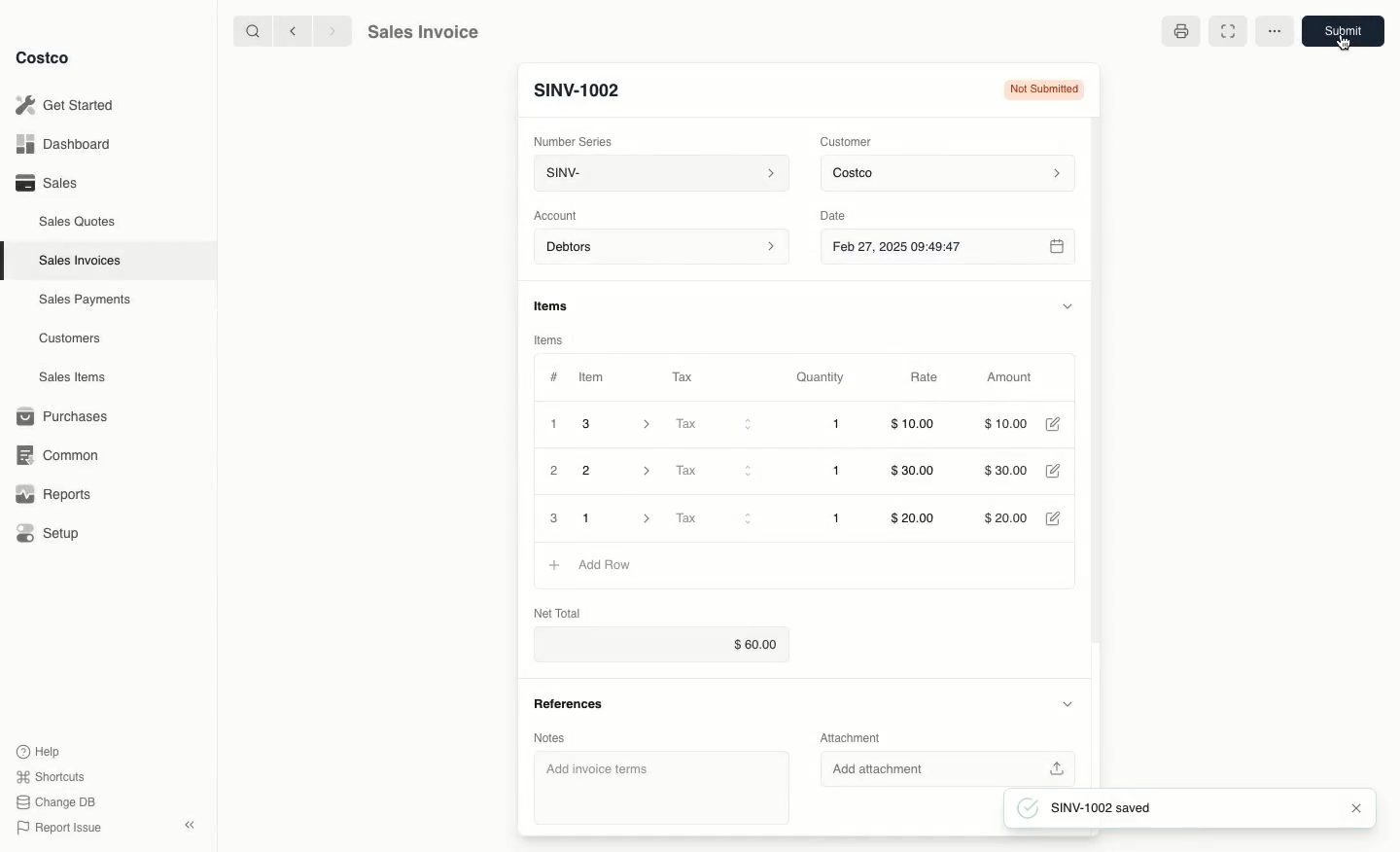 This screenshot has height=852, width=1400. What do you see at coordinates (1346, 44) in the screenshot?
I see `cursor` at bounding box center [1346, 44].